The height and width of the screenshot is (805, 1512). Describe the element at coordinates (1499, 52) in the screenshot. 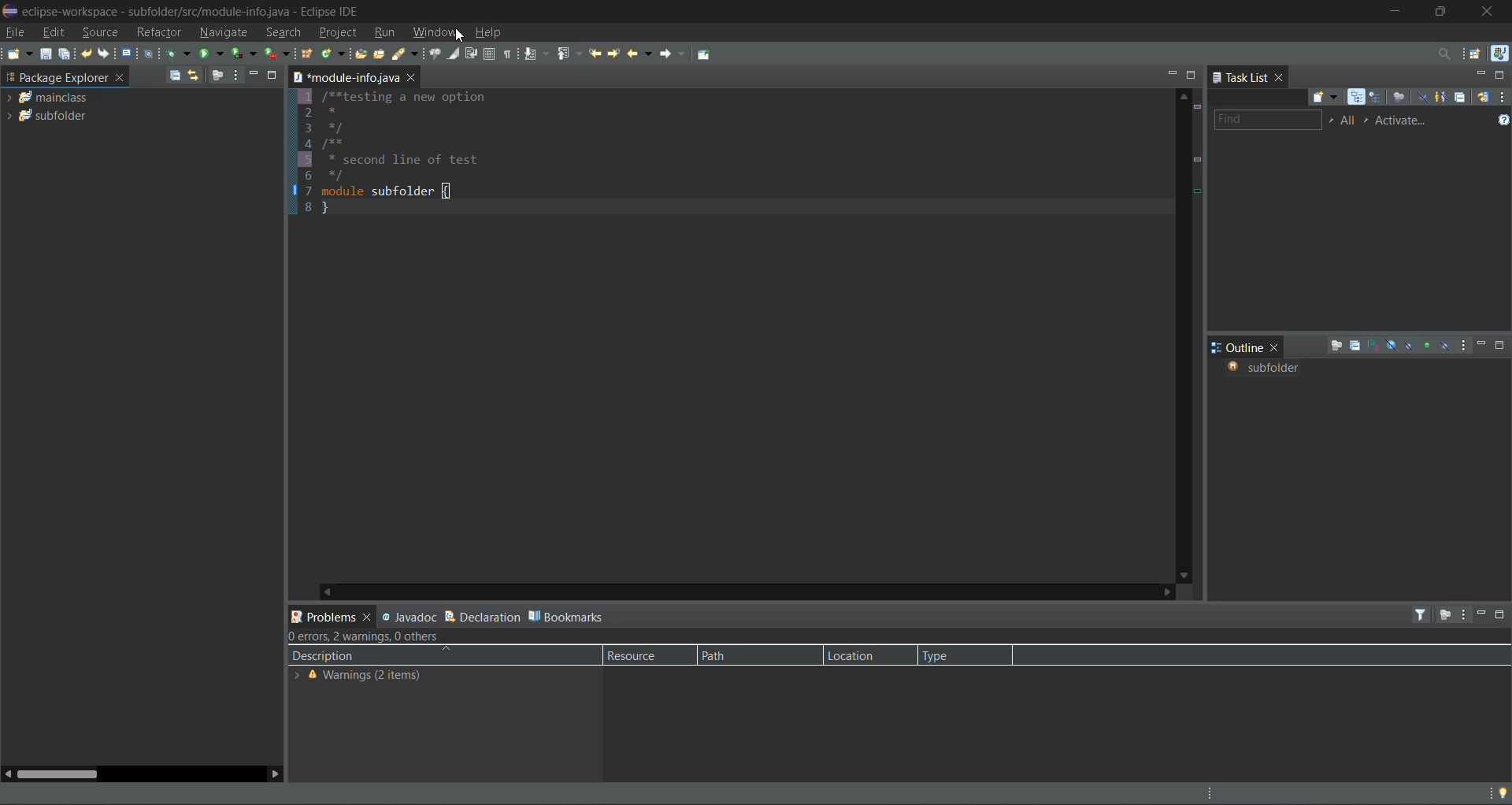

I see `java` at that location.